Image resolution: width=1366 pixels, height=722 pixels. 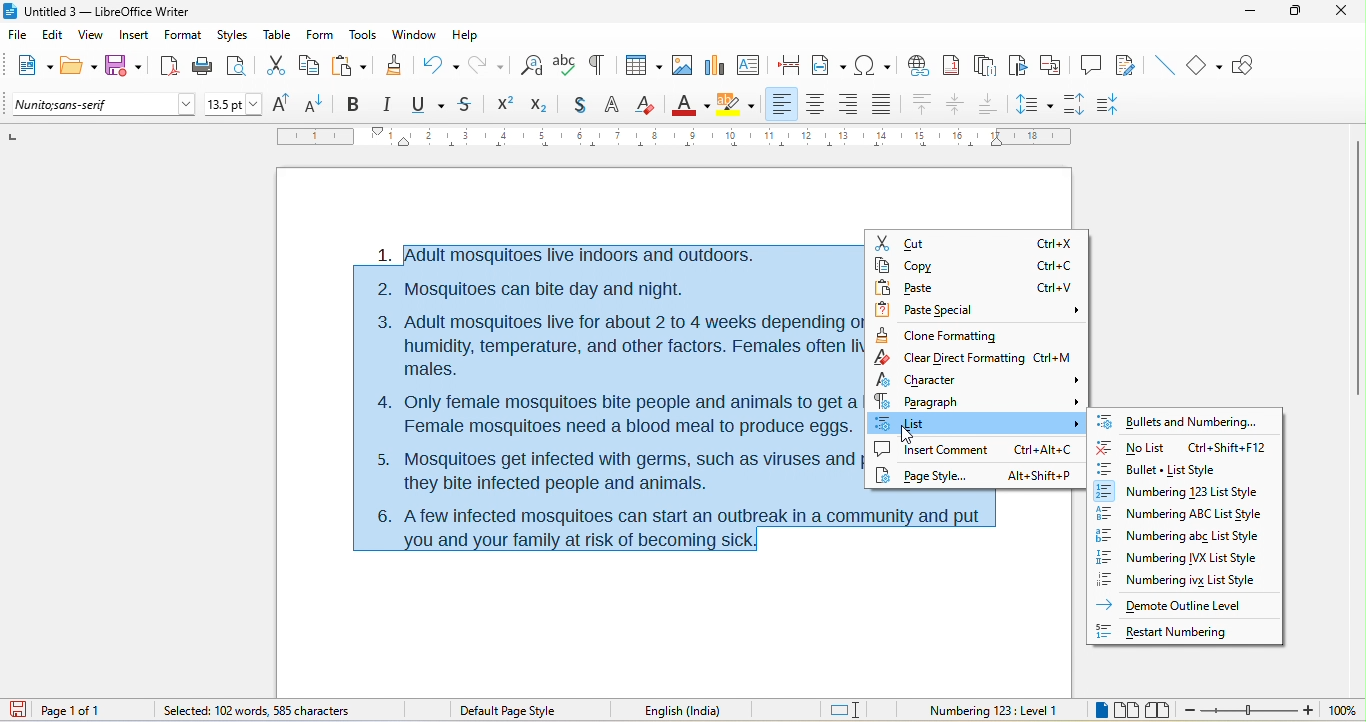 I want to click on default page style, so click(x=509, y=710).